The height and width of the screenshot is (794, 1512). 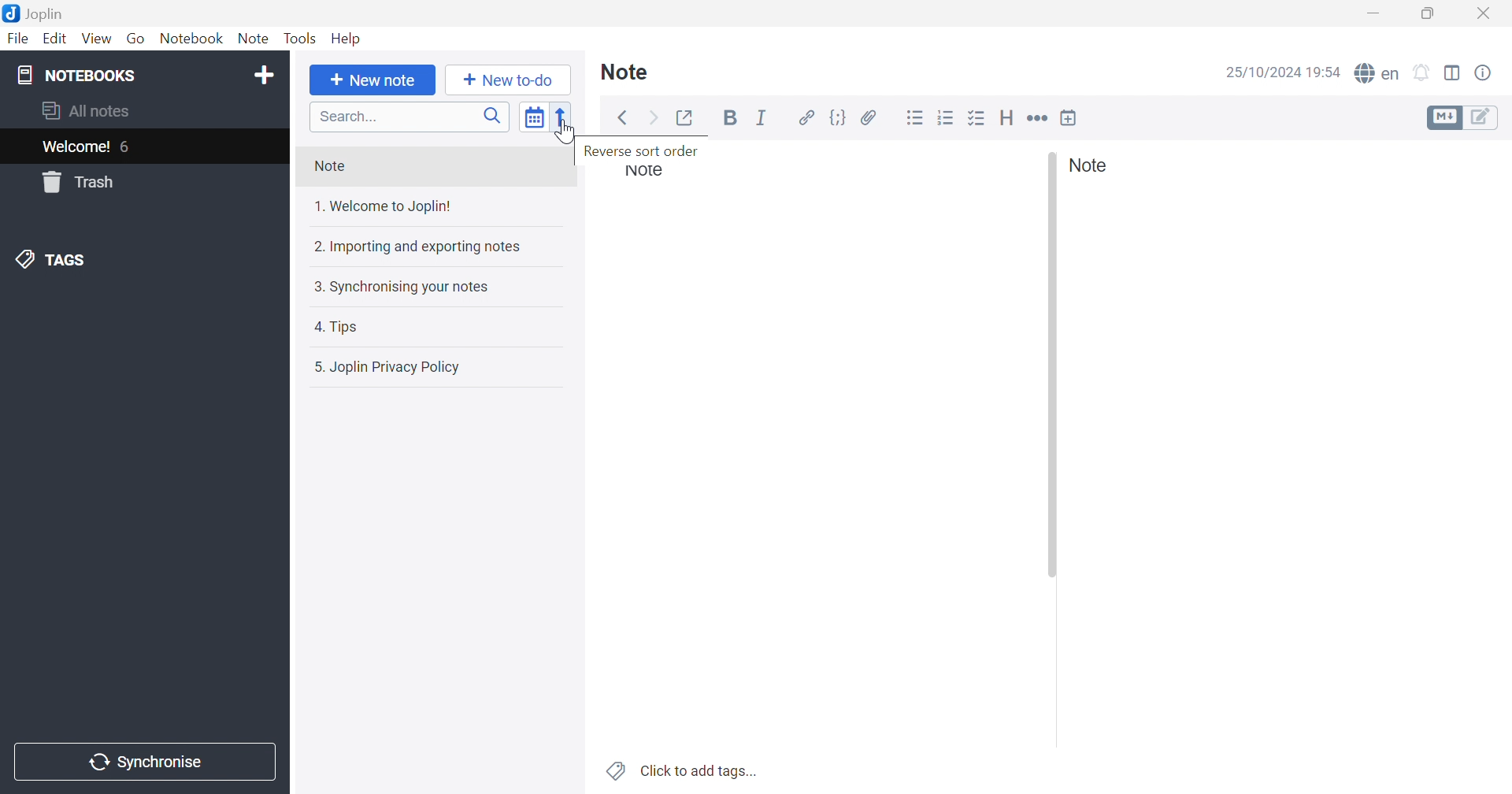 I want to click on edit, so click(x=1483, y=118).